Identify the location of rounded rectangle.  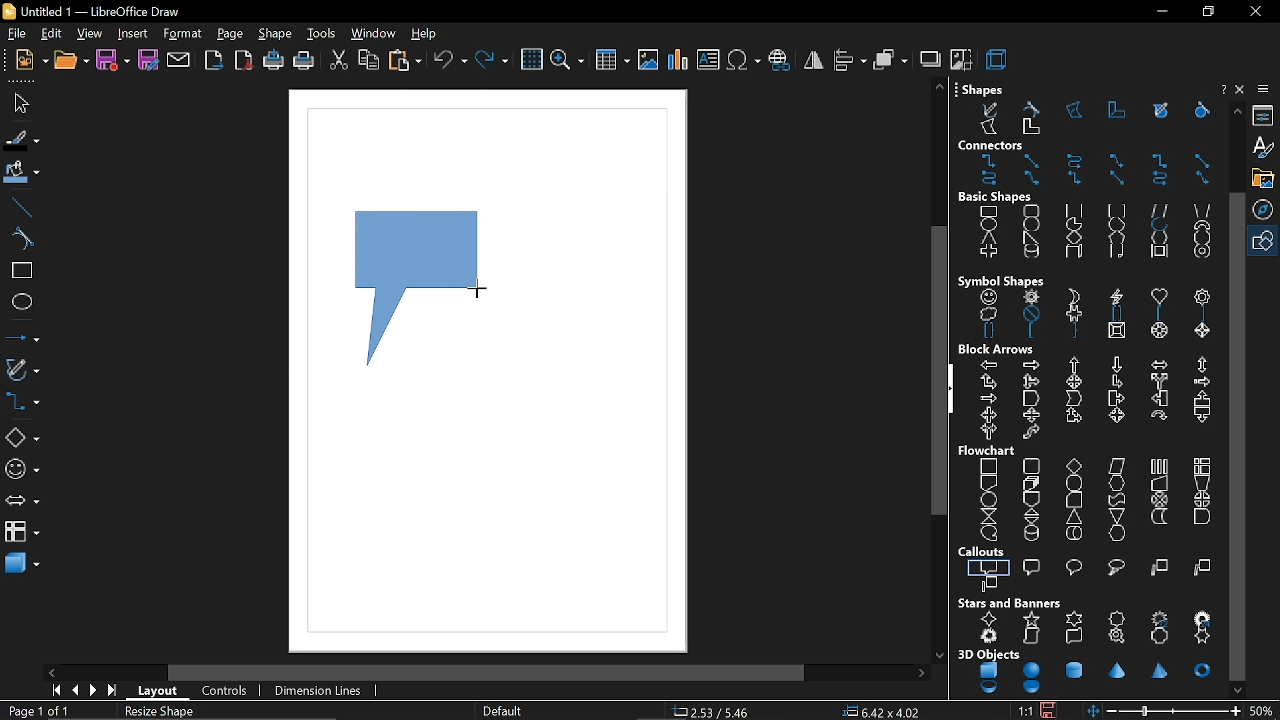
(1030, 211).